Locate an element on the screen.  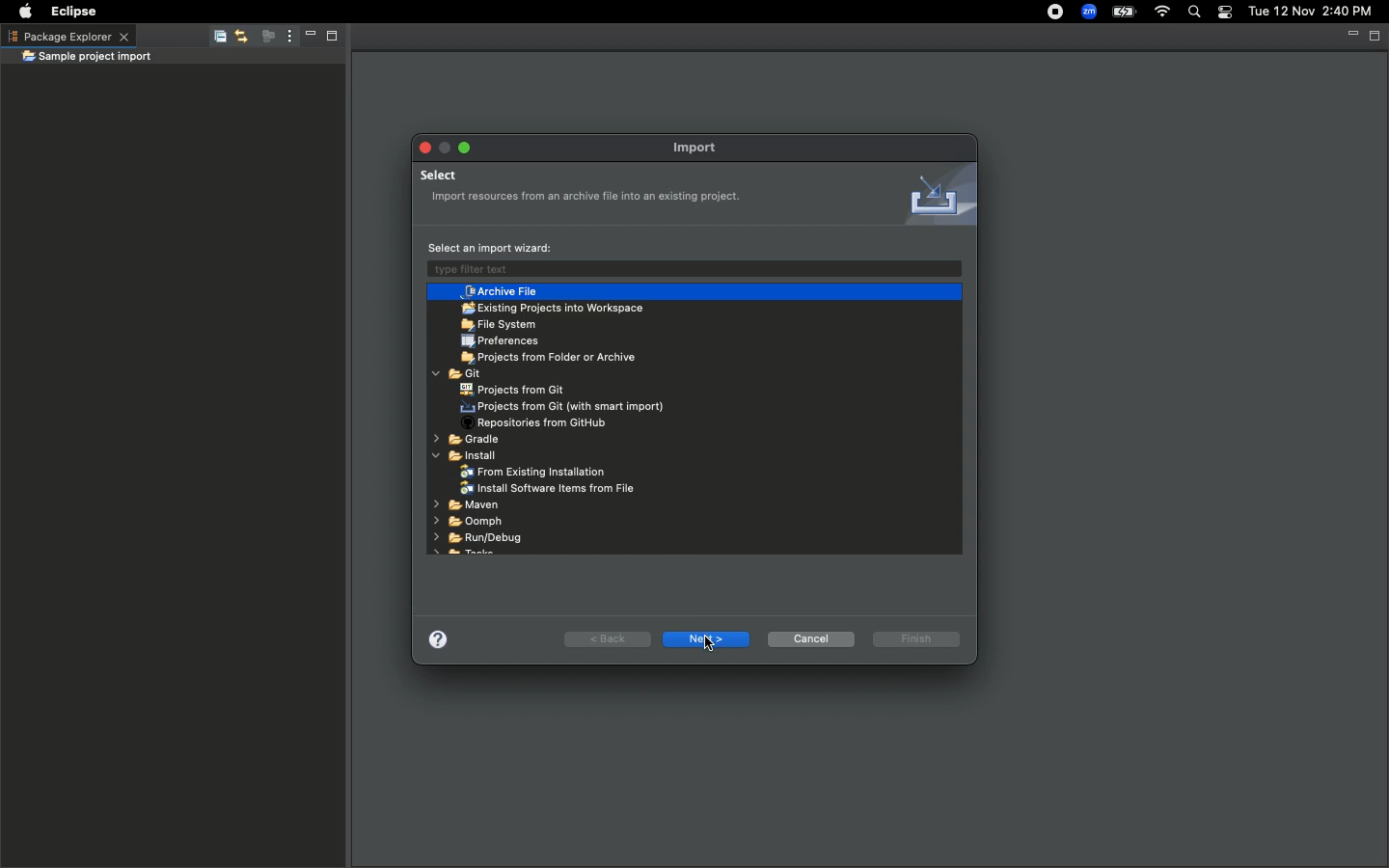
Maximize is located at coordinates (466, 149).